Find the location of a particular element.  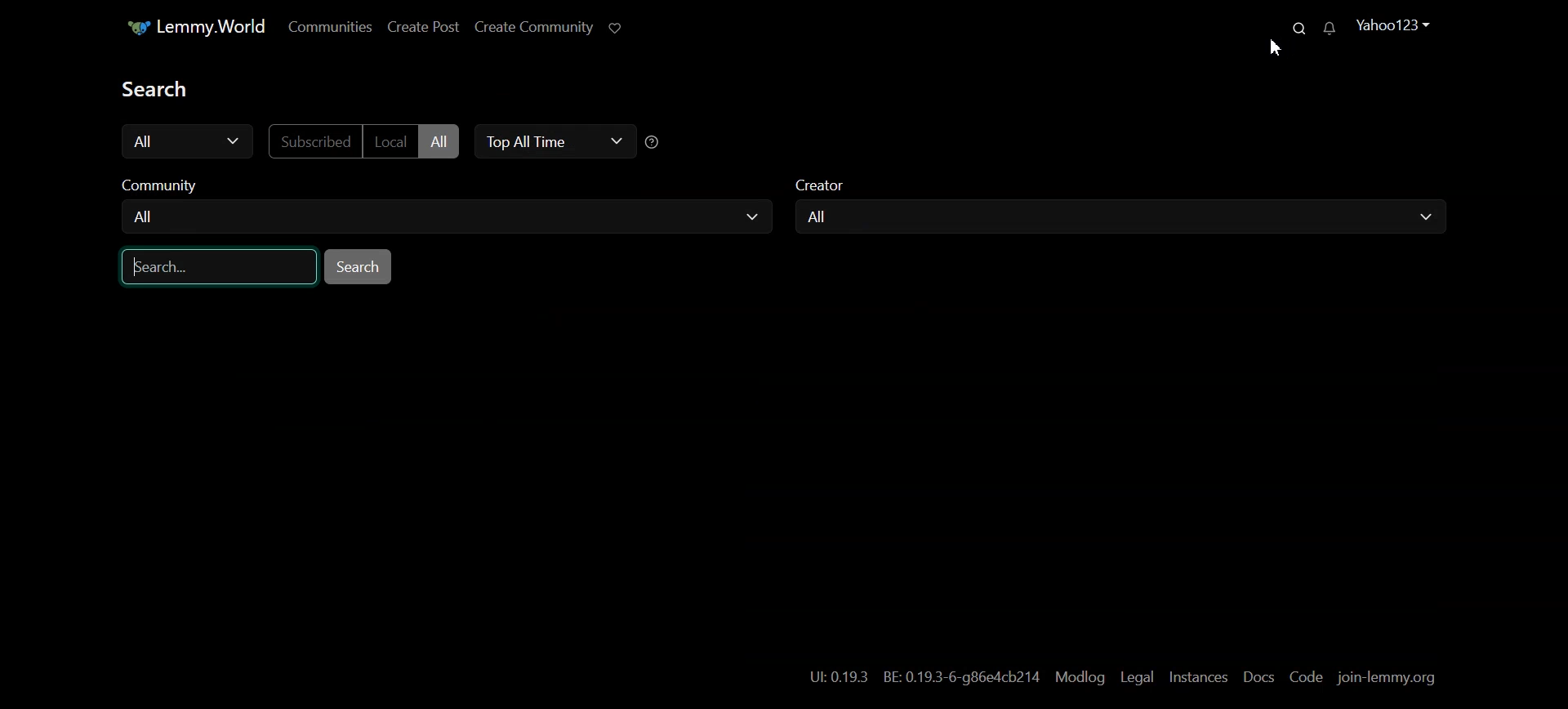

Community is located at coordinates (162, 181).